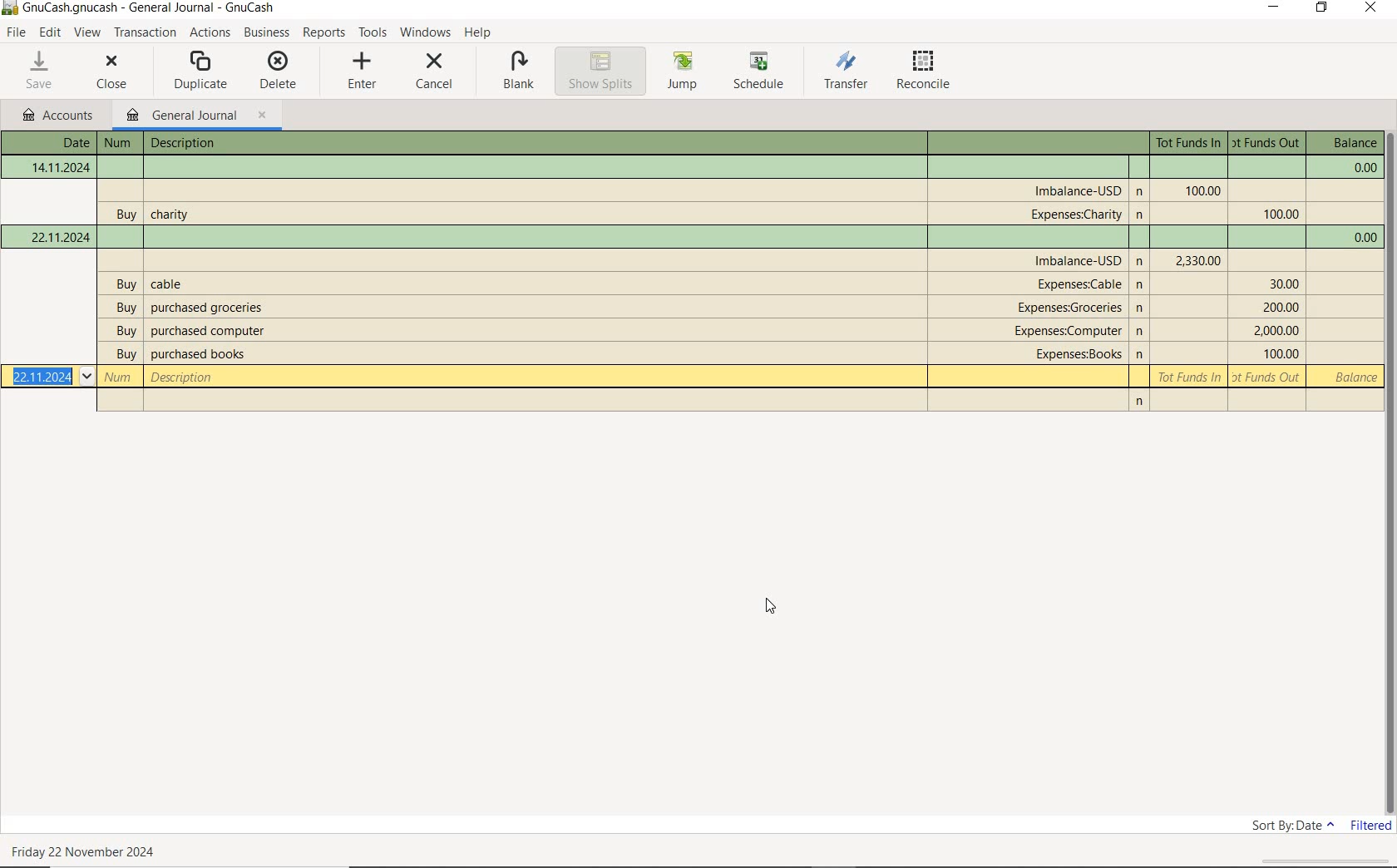 The width and height of the screenshot is (1397, 868). What do you see at coordinates (325, 33) in the screenshot?
I see `REPORTS` at bounding box center [325, 33].